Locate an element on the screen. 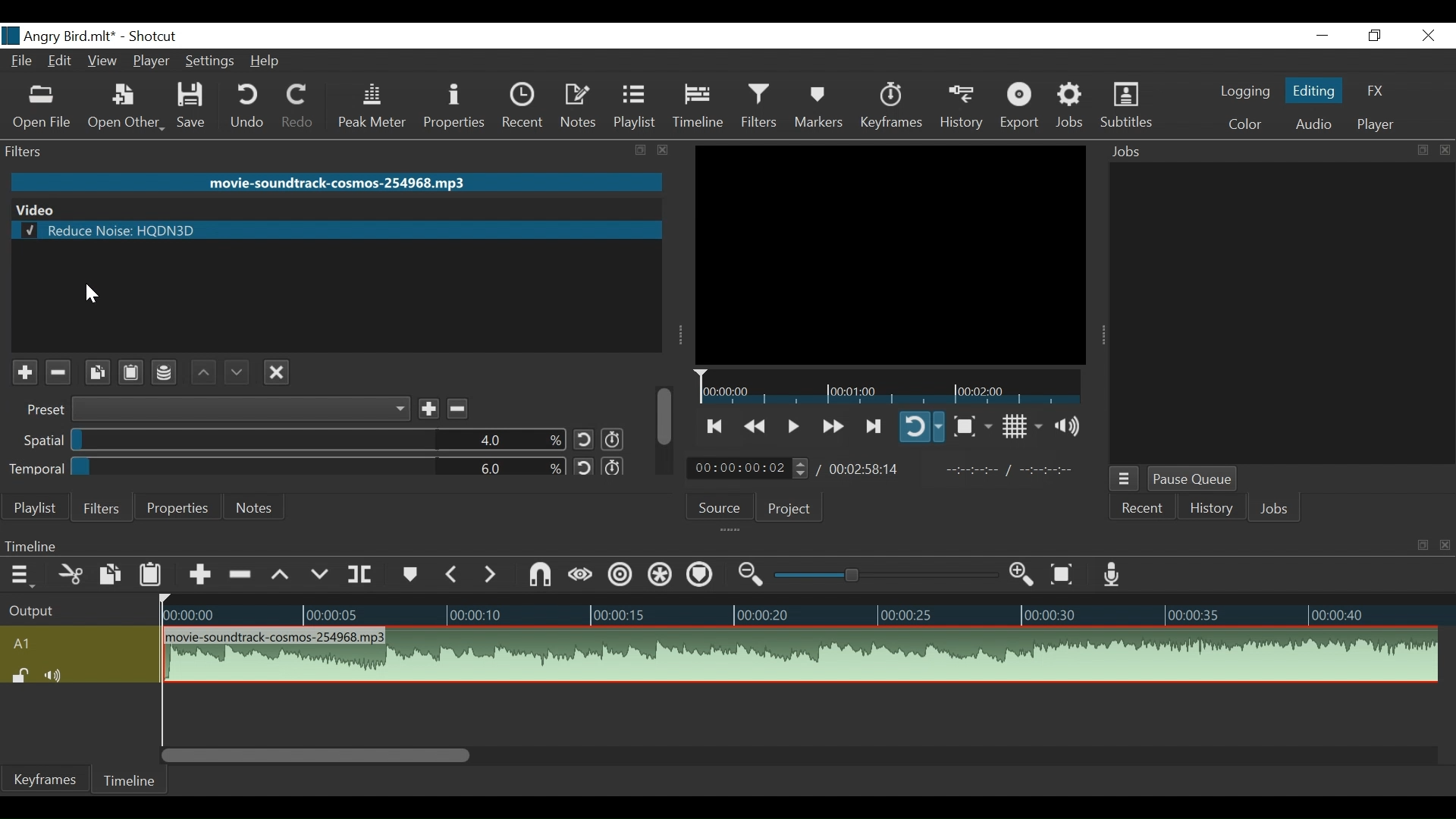 The height and width of the screenshot is (819, 1456). Pause Queue is located at coordinates (1193, 479).